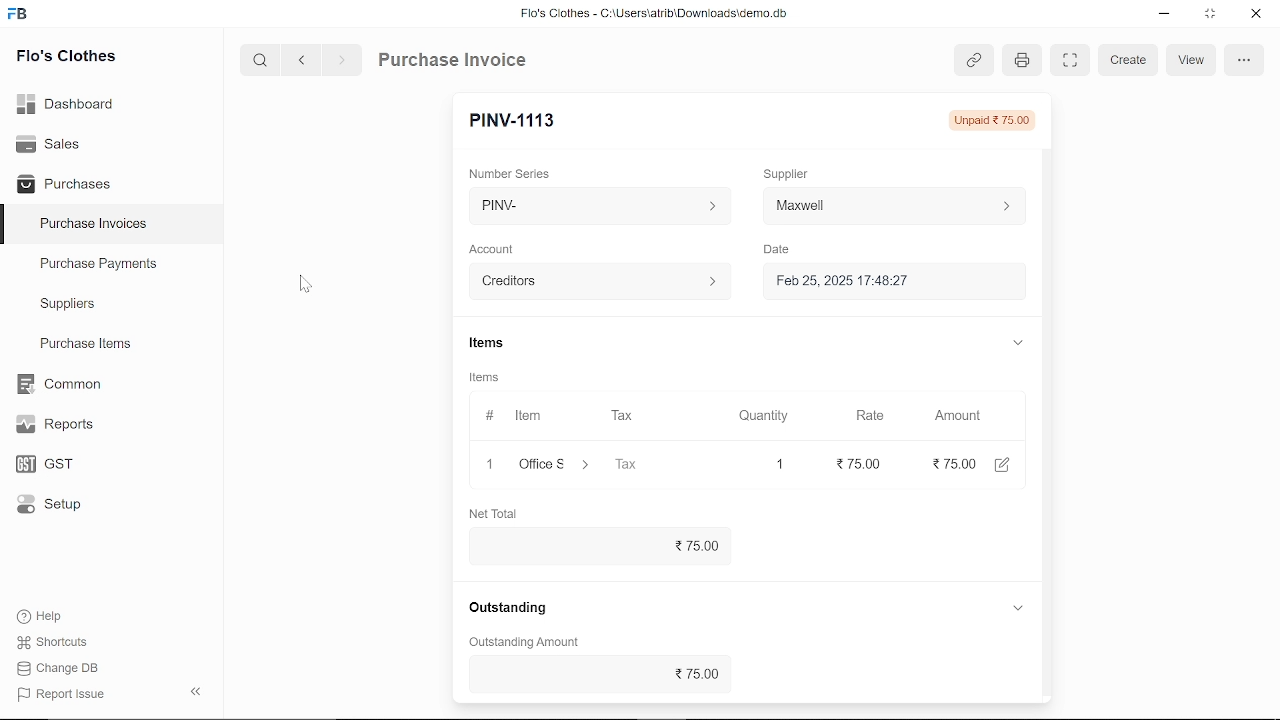 Image resolution: width=1280 pixels, height=720 pixels. Describe the element at coordinates (779, 463) in the screenshot. I see `1` at that location.